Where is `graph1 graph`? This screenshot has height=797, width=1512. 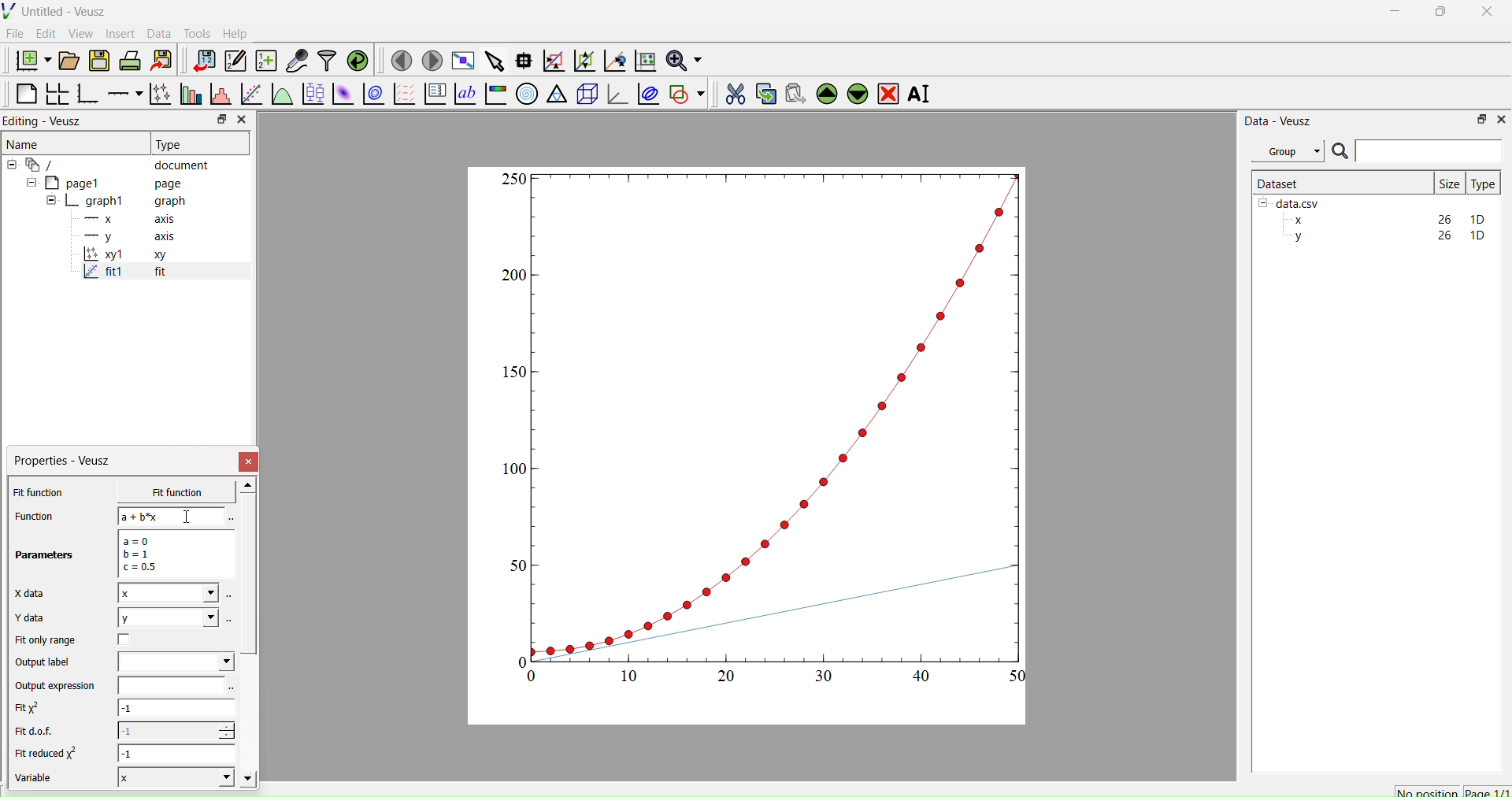
graph1 graph is located at coordinates (117, 202).